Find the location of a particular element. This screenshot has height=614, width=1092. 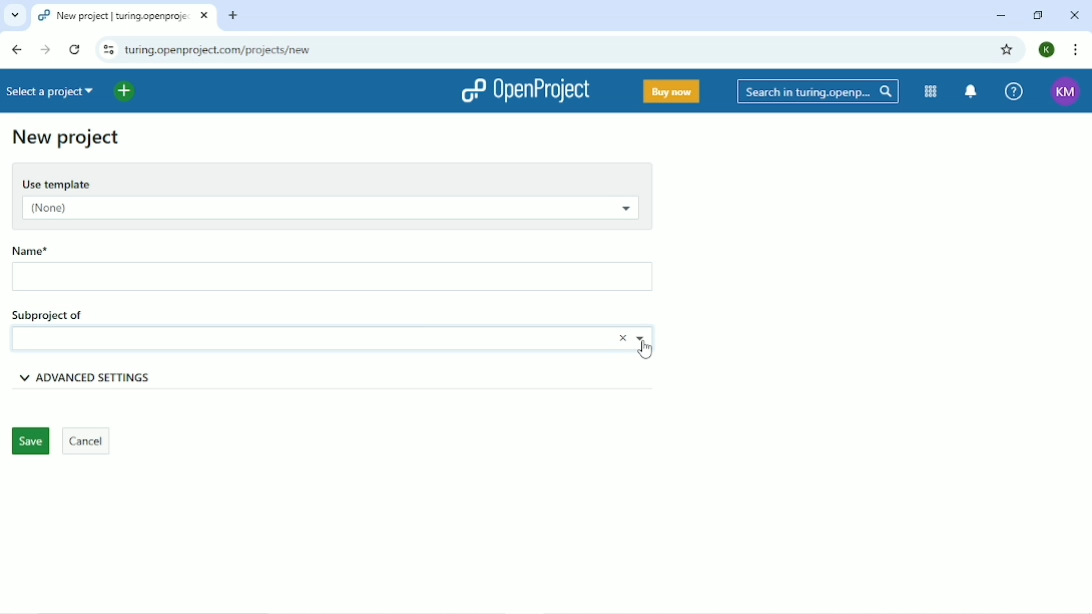

Subproject of is located at coordinates (77, 313).